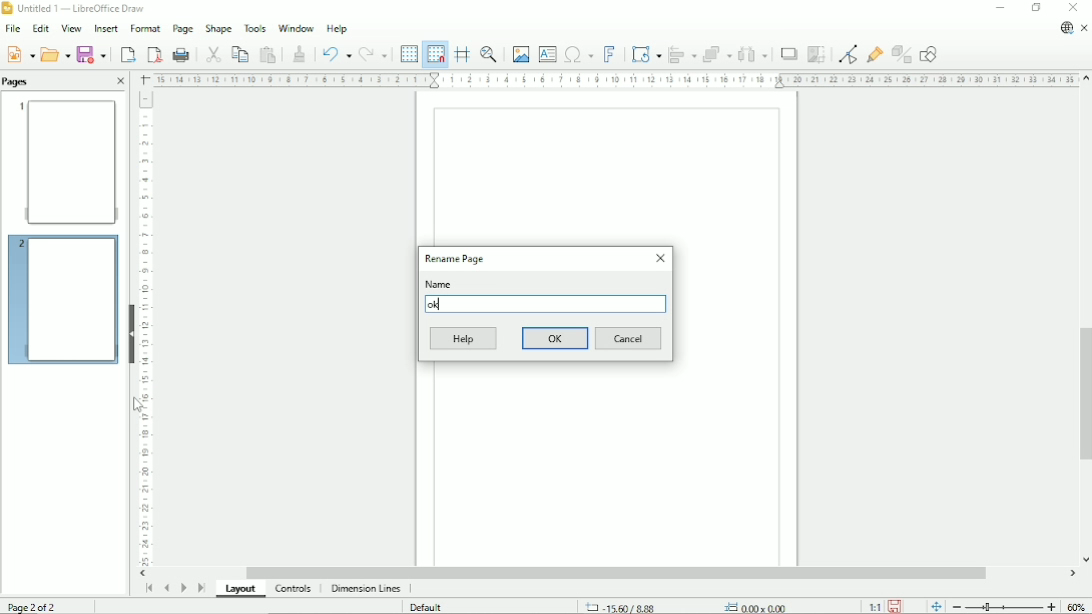 Image resolution: width=1092 pixels, height=614 pixels. I want to click on Undo, so click(334, 53).